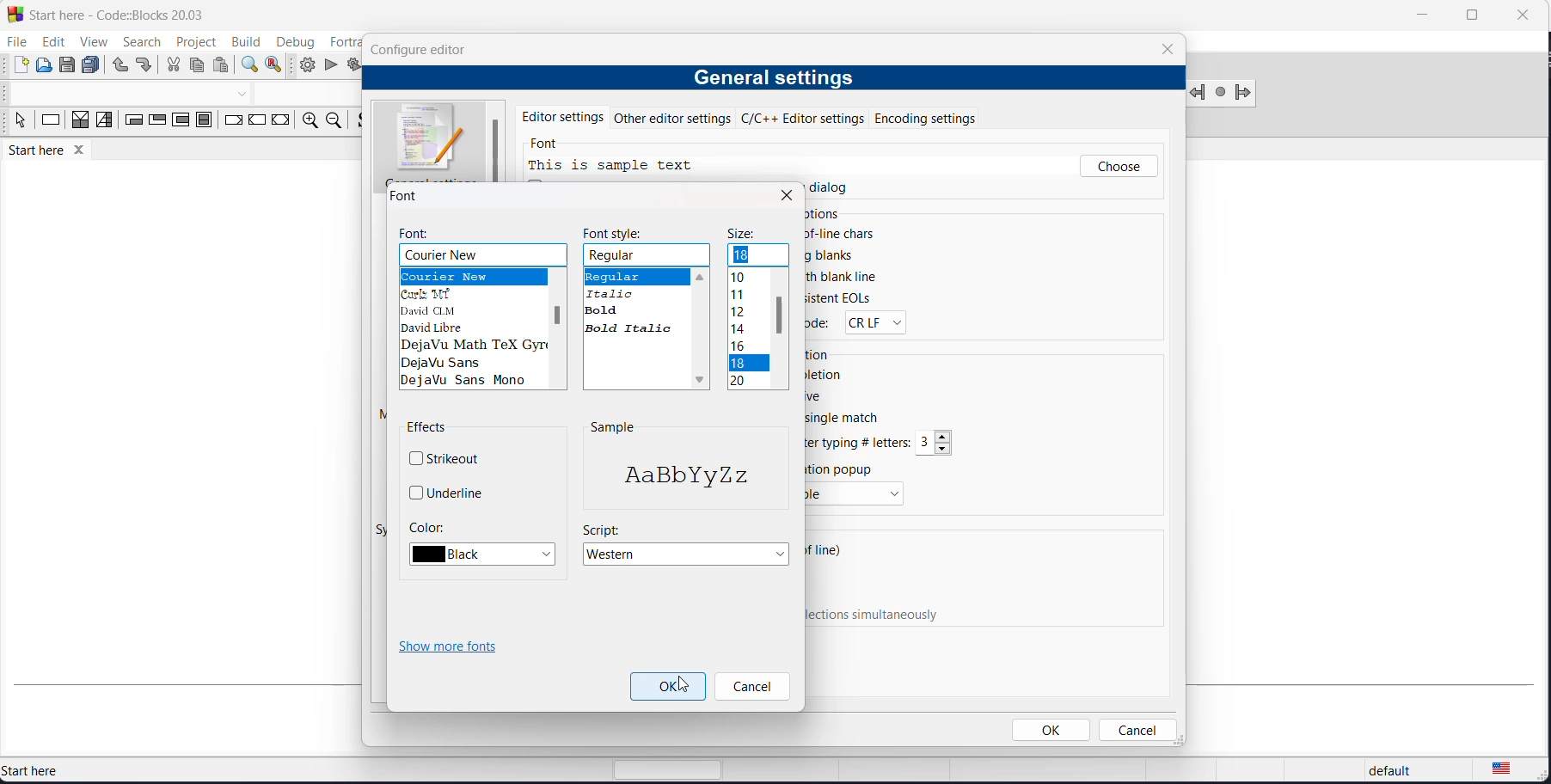 The image size is (1551, 784). Describe the element at coordinates (330, 66) in the screenshot. I see `run` at that location.